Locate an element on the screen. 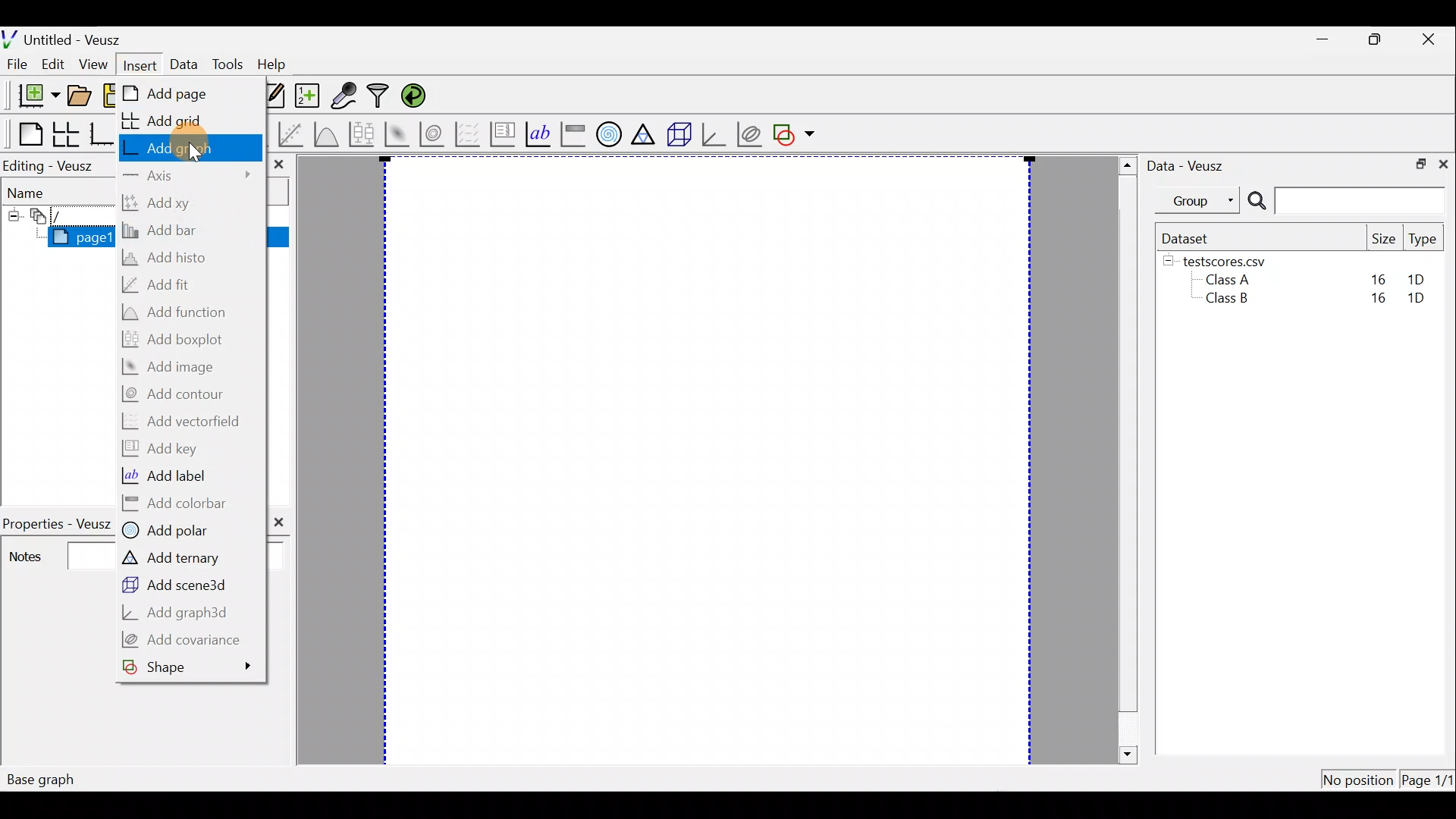 The width and height of the screenshot is (1456, 819). Shape is located at coordinates (190, 666).